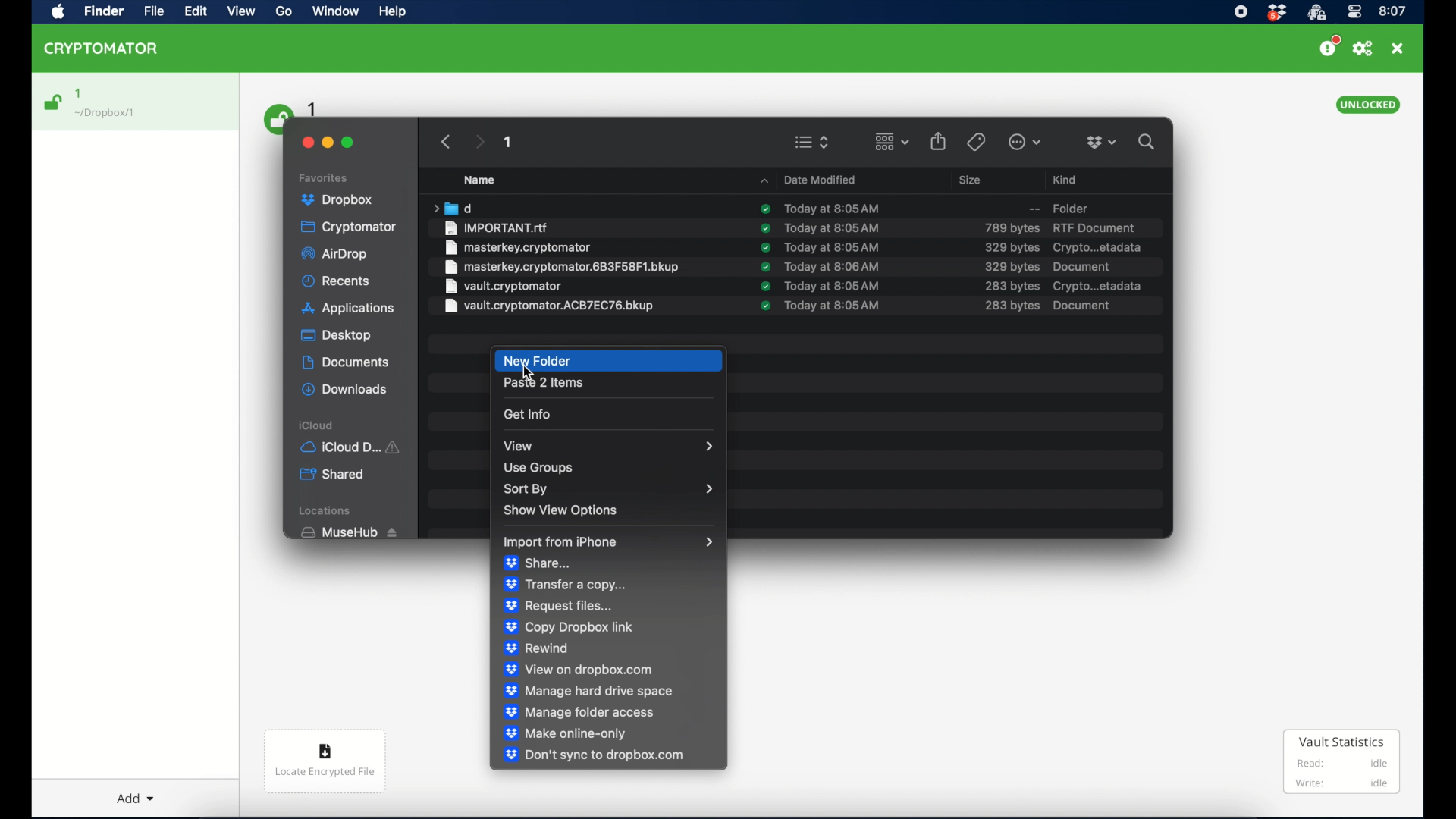 The width and height of the screenshot is (1456, 819). What do you see at coordinates (1081, 305) in the screenshot?
I see `document` at bounding box center [1081, 305].